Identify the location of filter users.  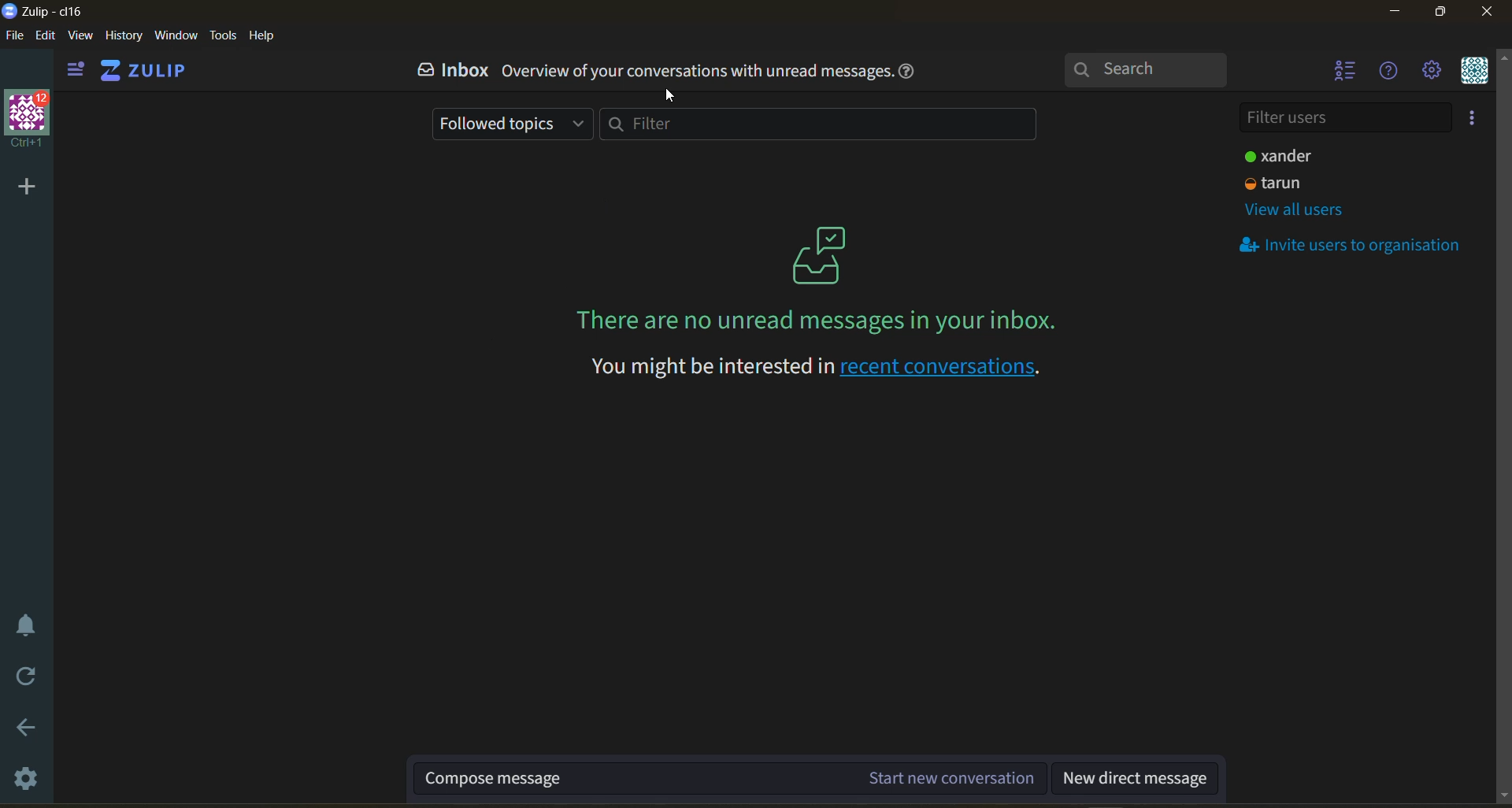
(1342, 115).